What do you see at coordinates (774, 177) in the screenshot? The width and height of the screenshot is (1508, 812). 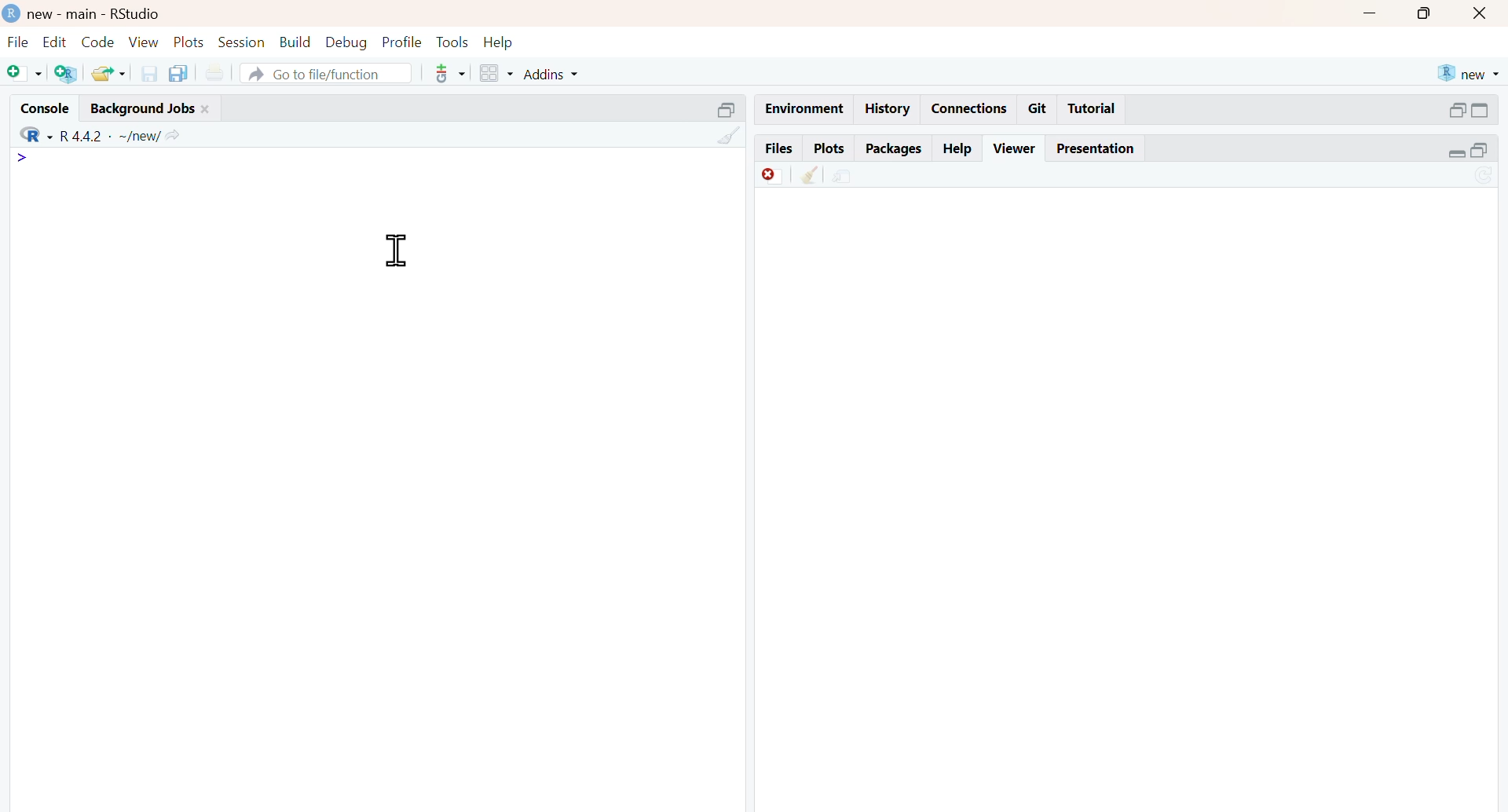 I see `discard` at bounding box center [774, 177].